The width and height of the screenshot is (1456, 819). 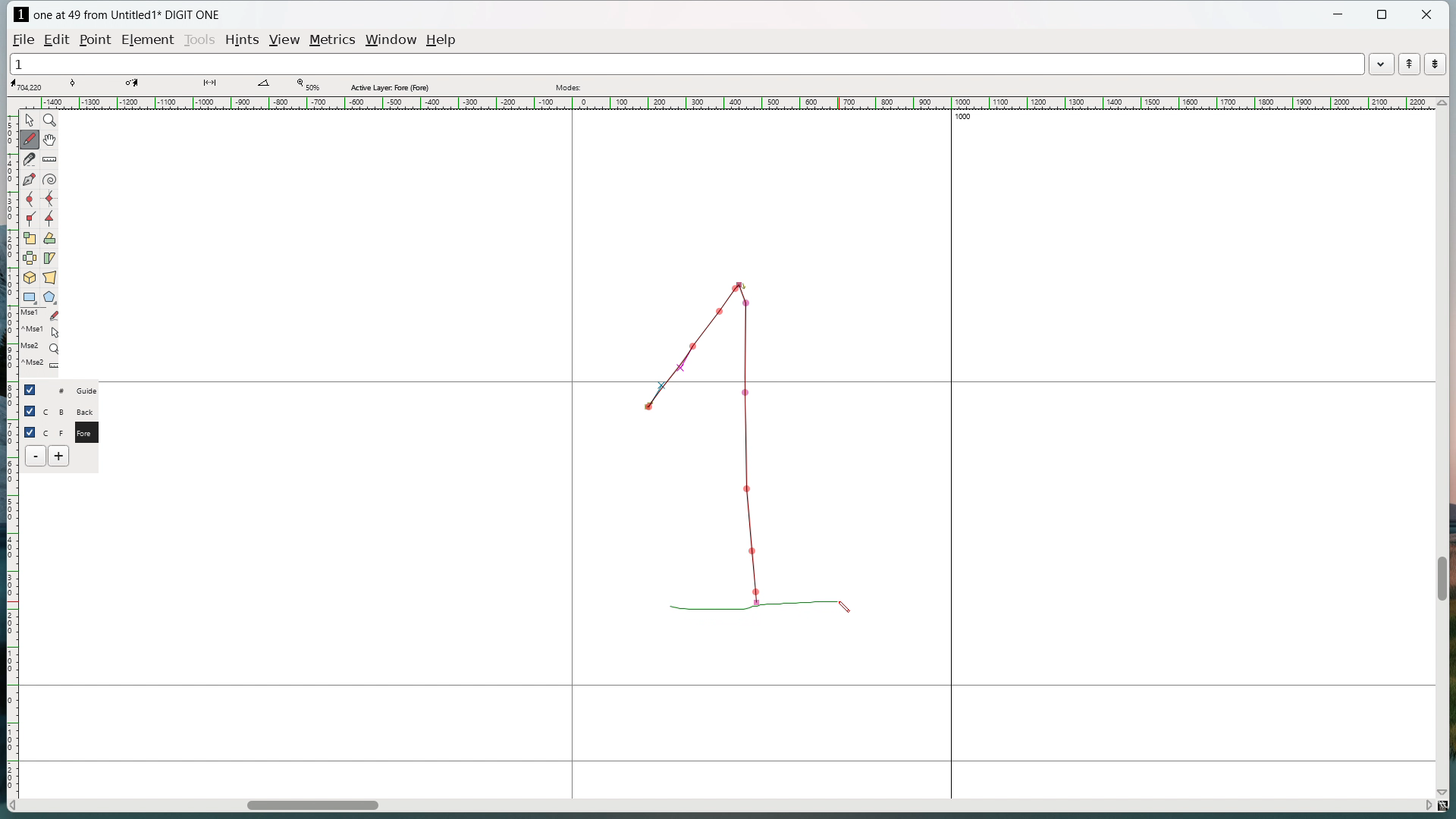 I want to click on word list, so click(x=1382, y=63).